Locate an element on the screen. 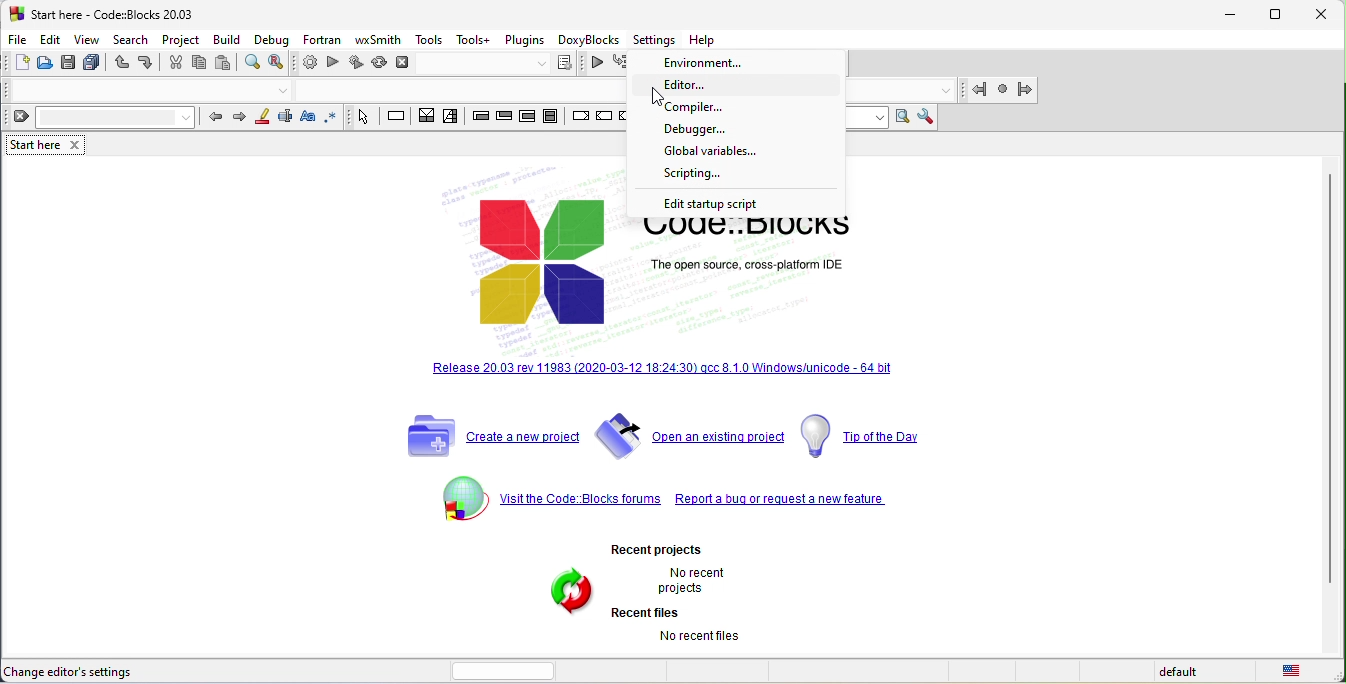 The image size is (1346, 684). close is located at coordinates (1325, 15).